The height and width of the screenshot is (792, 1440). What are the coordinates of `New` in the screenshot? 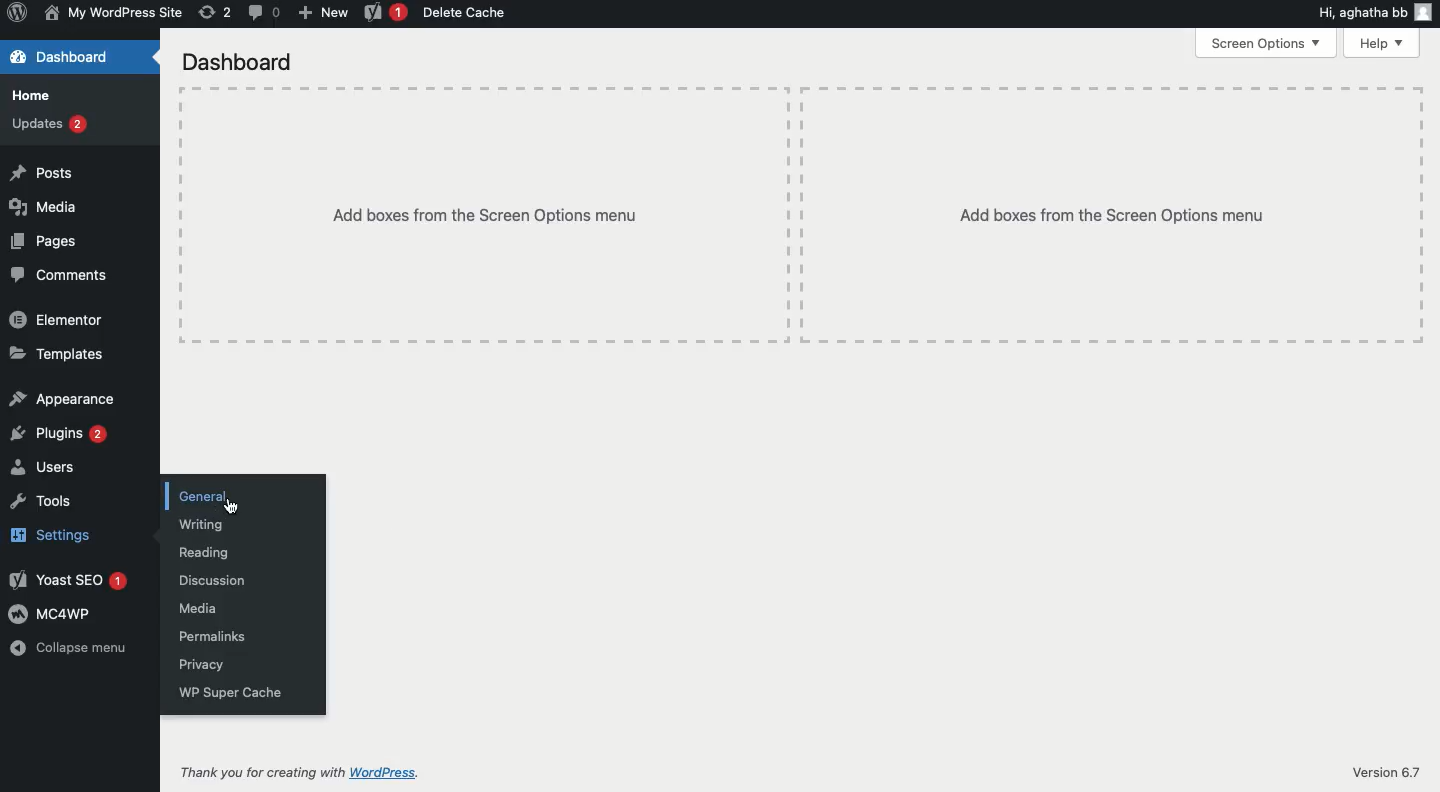 It's located at (323, 12).